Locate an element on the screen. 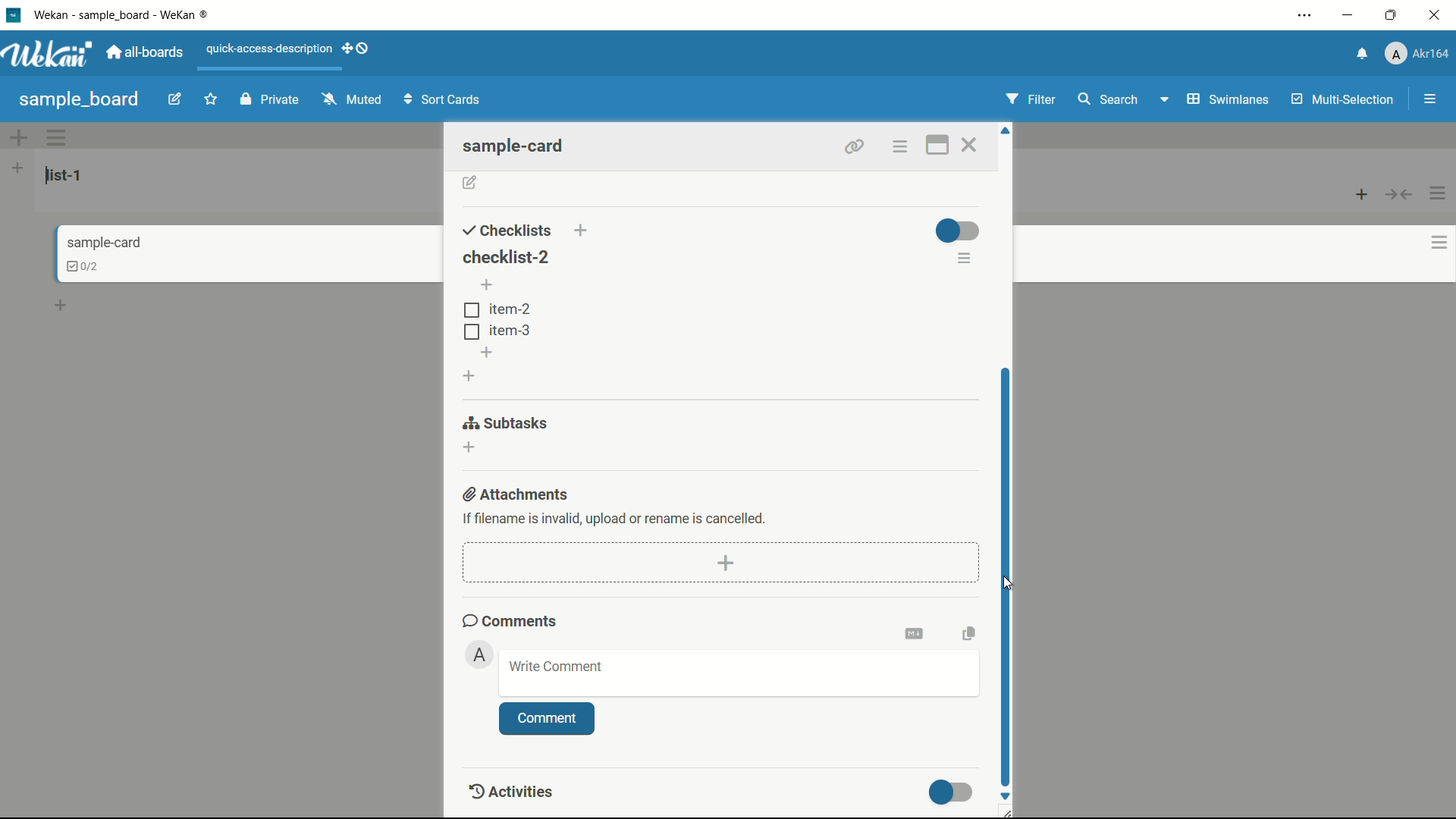 This screenshot has height=819, width=1456. link is located at coordinates (851, 144).